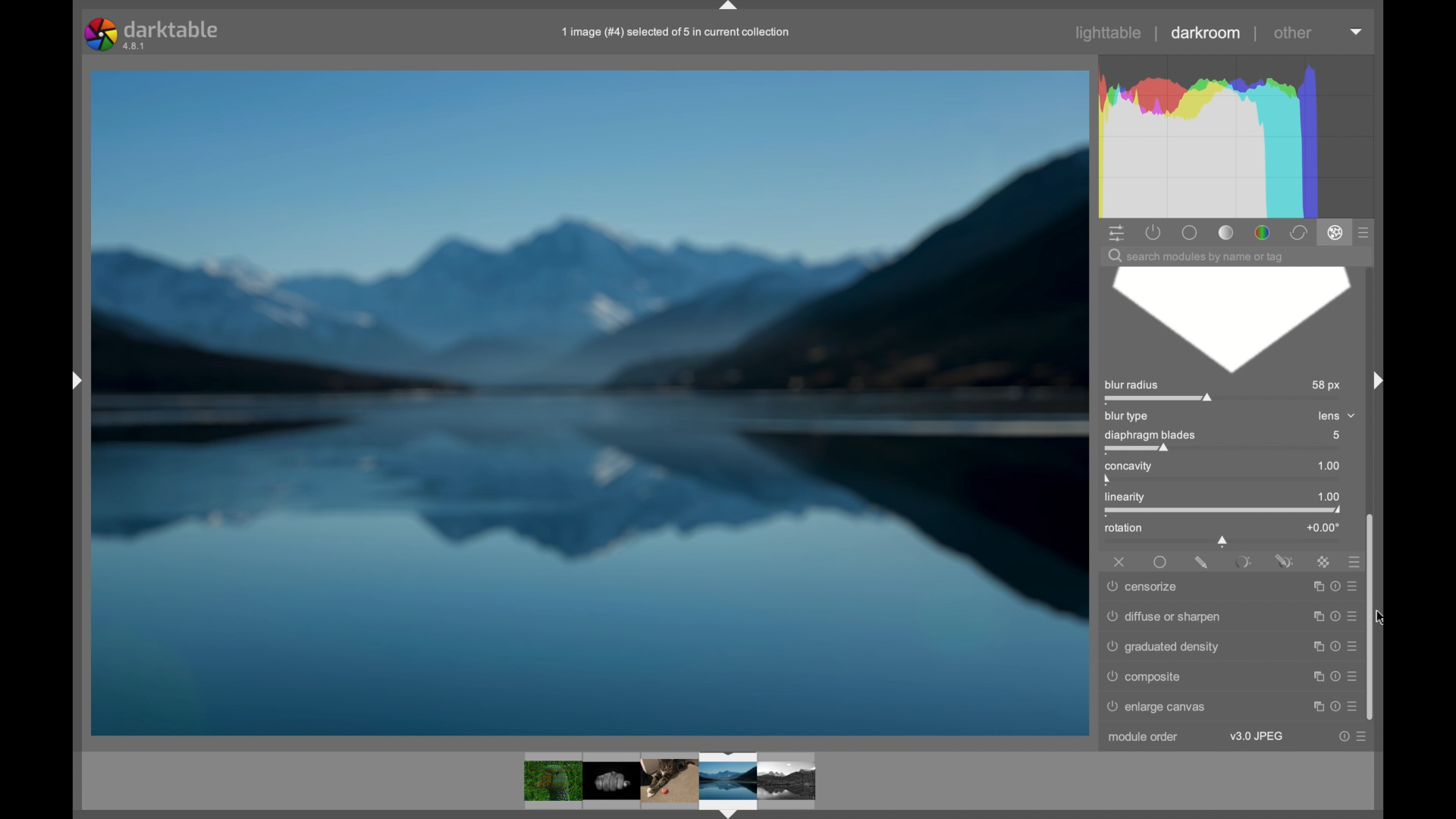  What do you see at coordinates (1261, 232) in the screenshot?
I see `color` at bounding box center [1261, 232].